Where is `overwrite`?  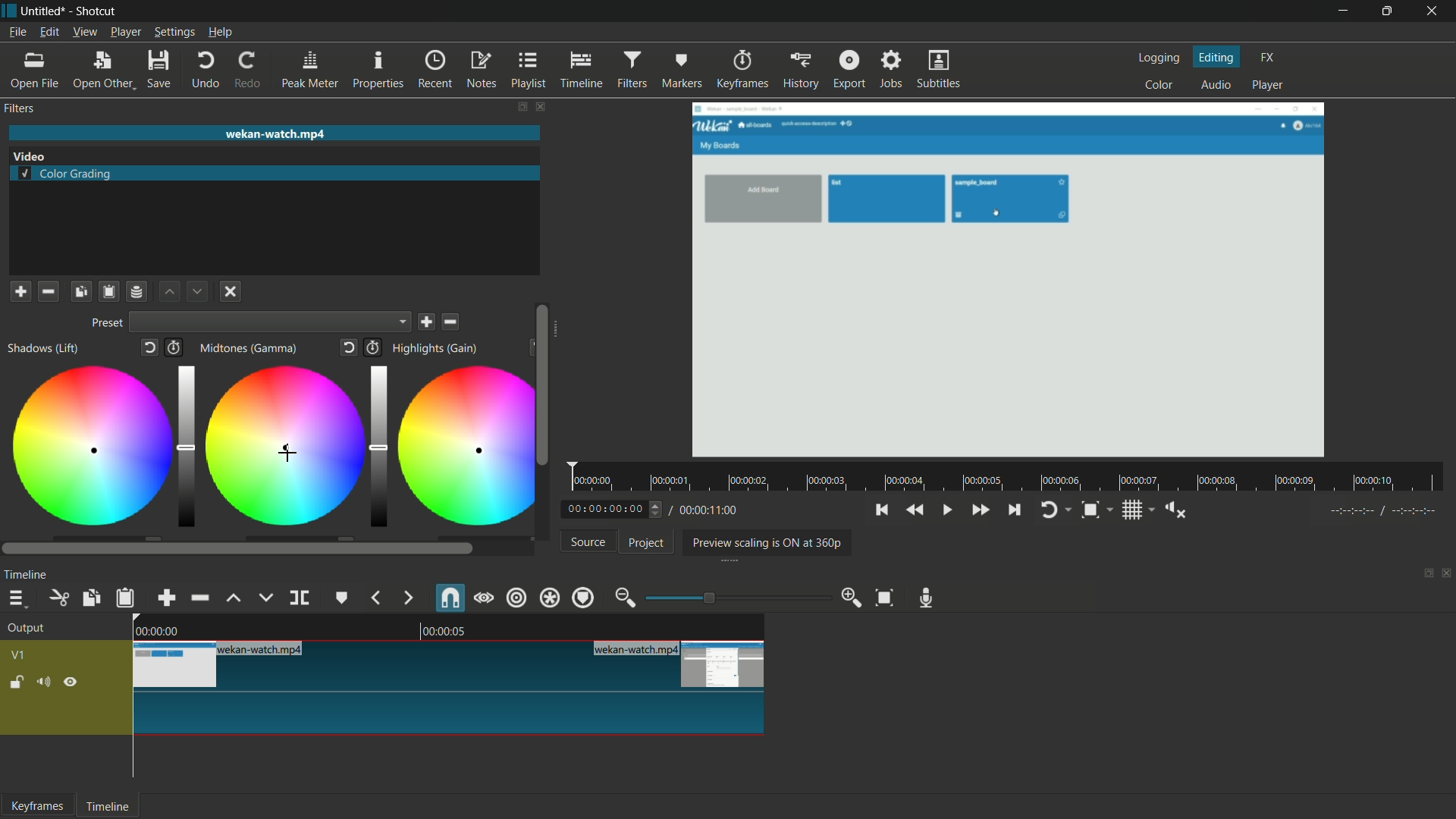 overwrite is located at coordinates (265, 597).